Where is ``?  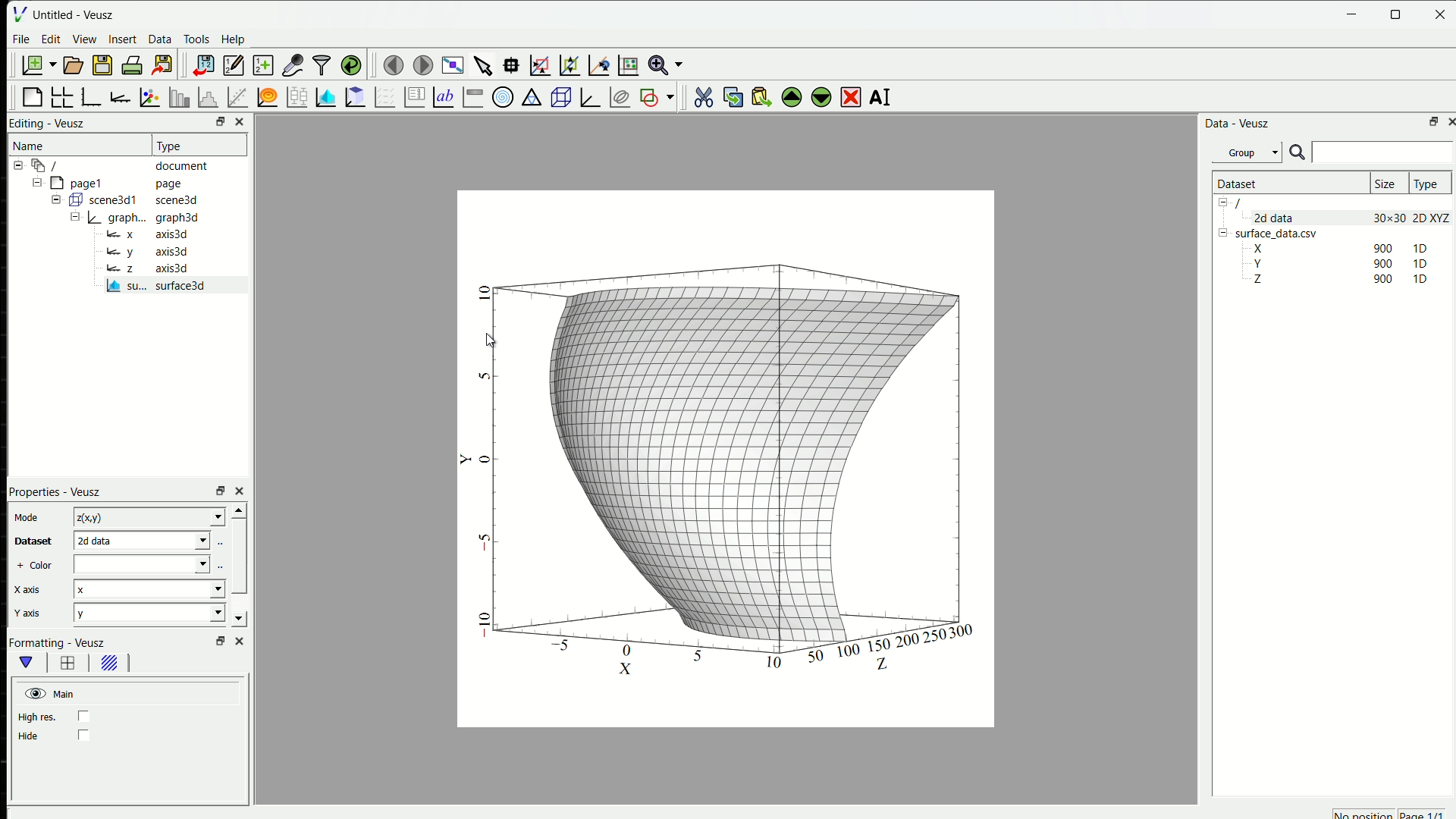
 is located at coordinates (116, 217).